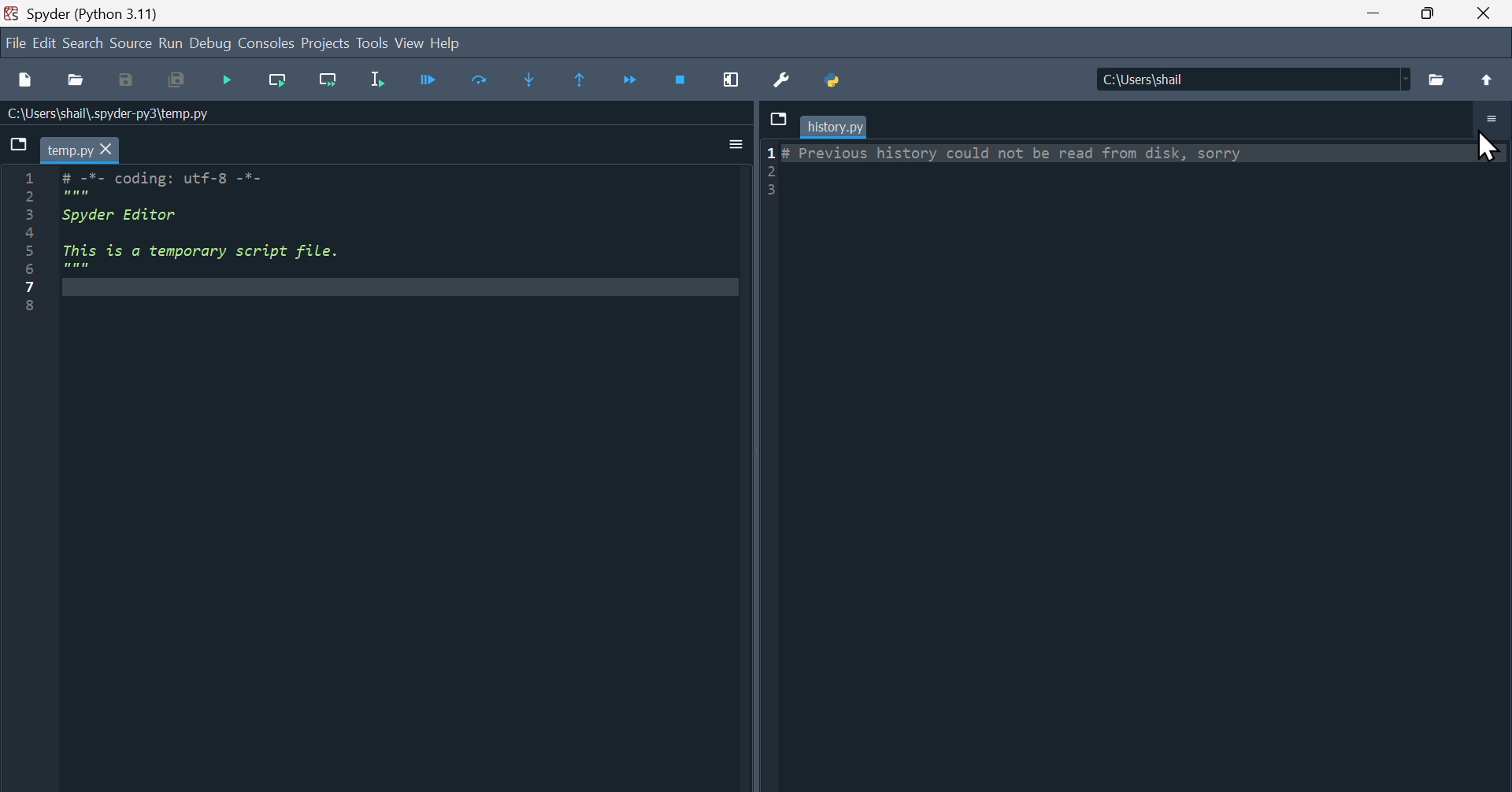 The width and height of the screenshot is (1512, 792). What do you see at coordinates (180, 81) in the screenshot?
I see `Save all` at bounding box center [180, 81].